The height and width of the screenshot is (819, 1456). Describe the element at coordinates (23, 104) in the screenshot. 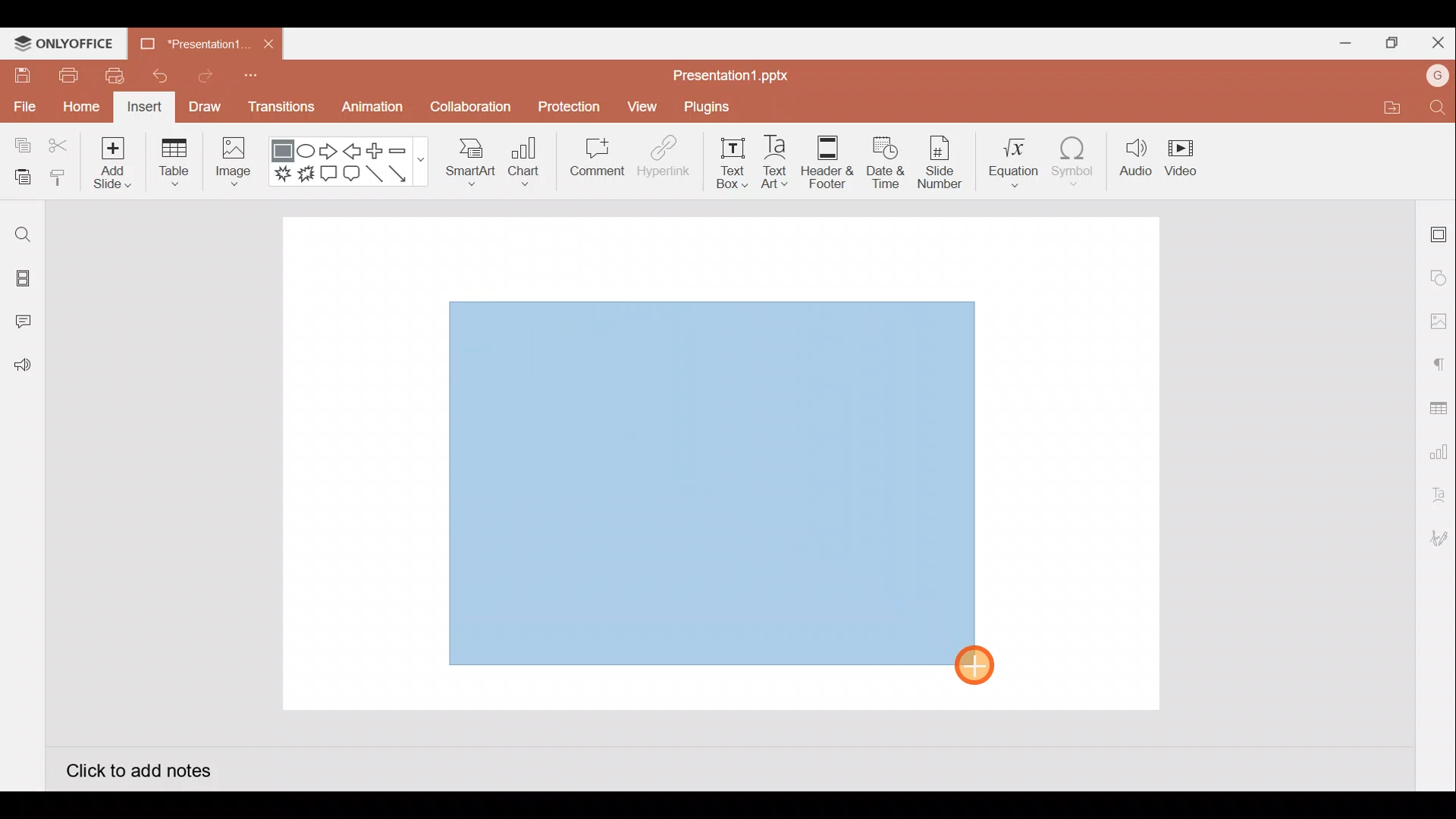

I see `File` at that location.